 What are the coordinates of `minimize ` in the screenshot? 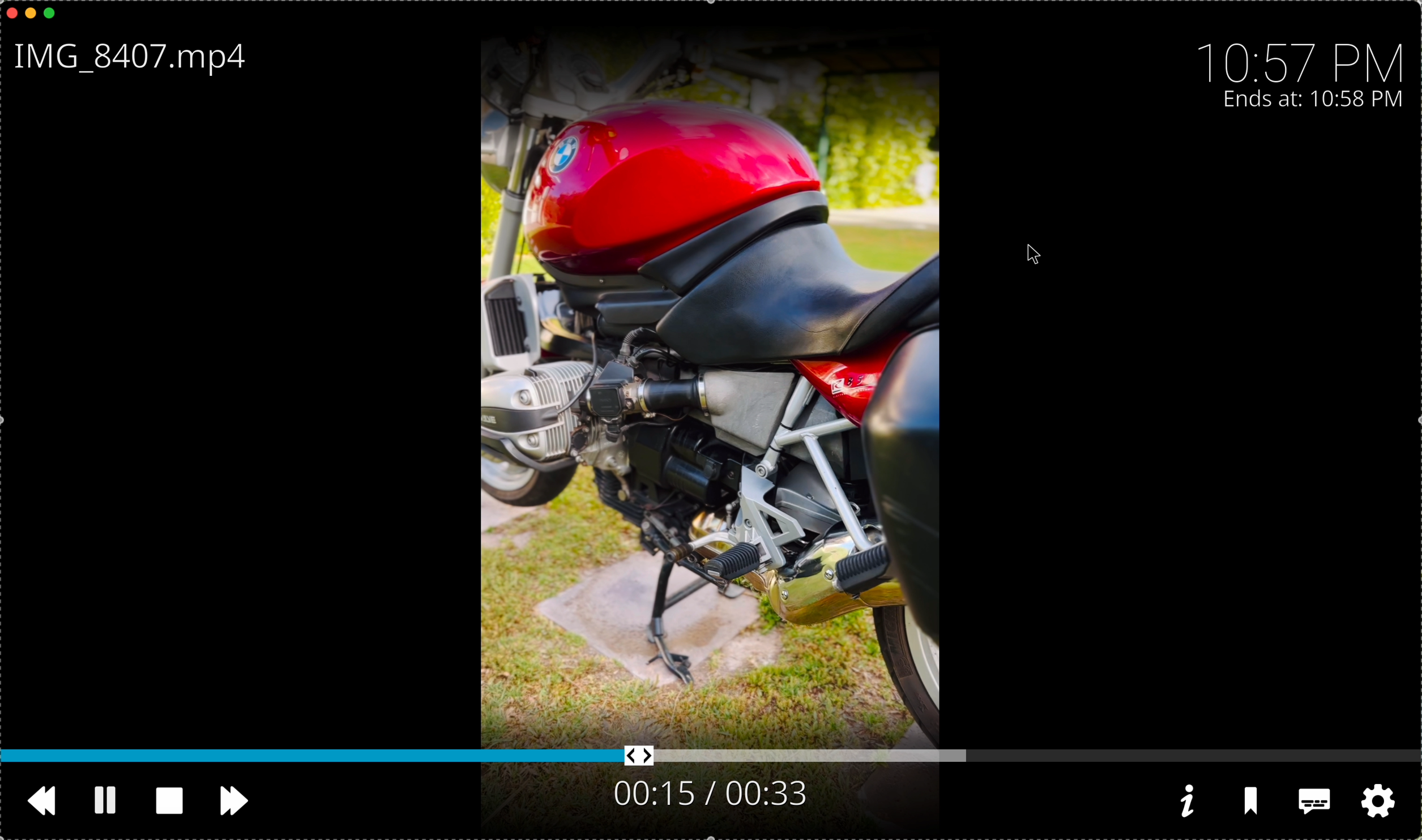 It's located at (31, 16).